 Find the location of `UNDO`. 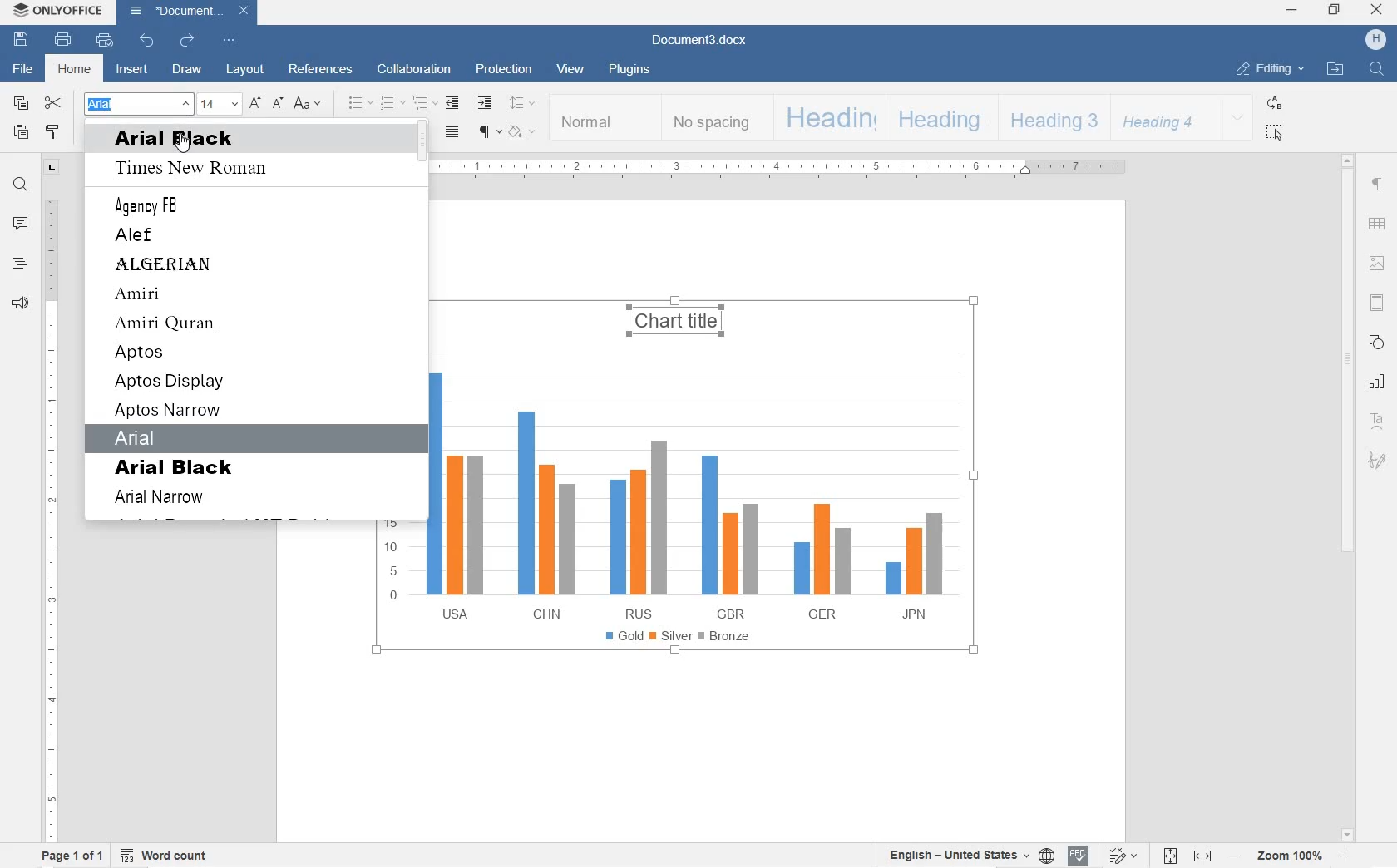

UNDO is located at coordinates (144, 42).